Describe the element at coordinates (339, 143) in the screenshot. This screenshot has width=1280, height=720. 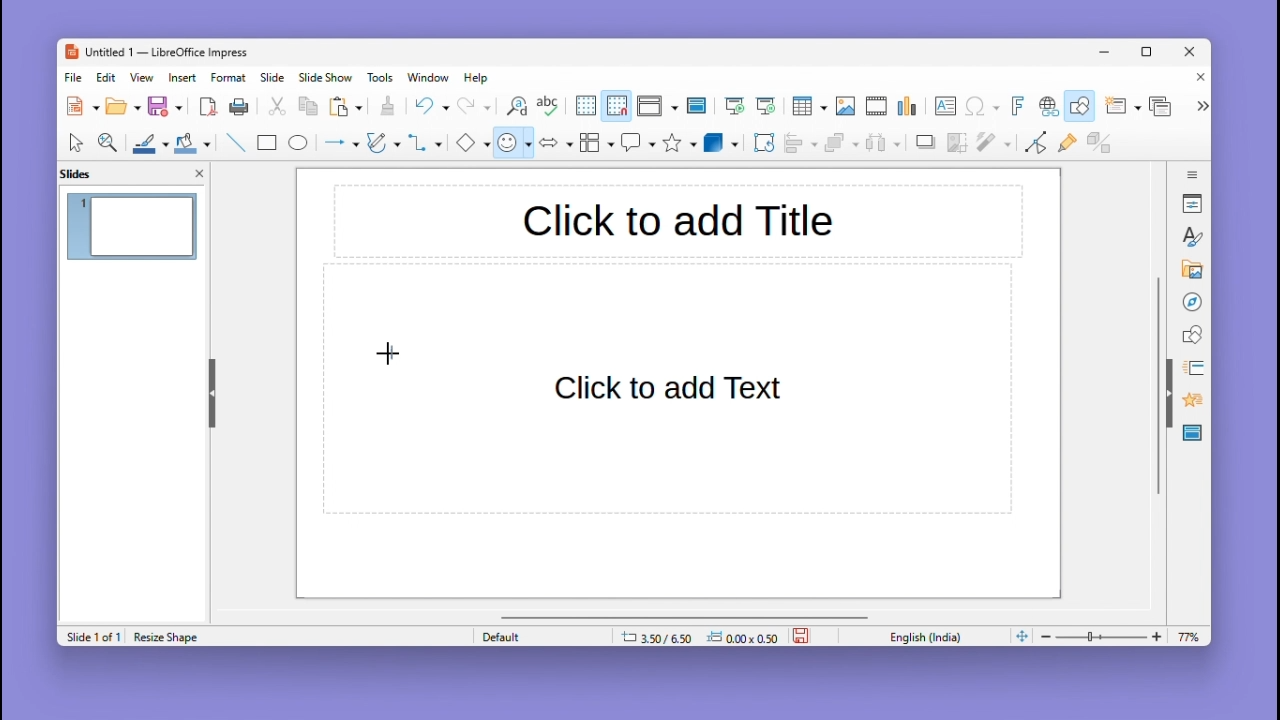
I see `Arrow` at that location.